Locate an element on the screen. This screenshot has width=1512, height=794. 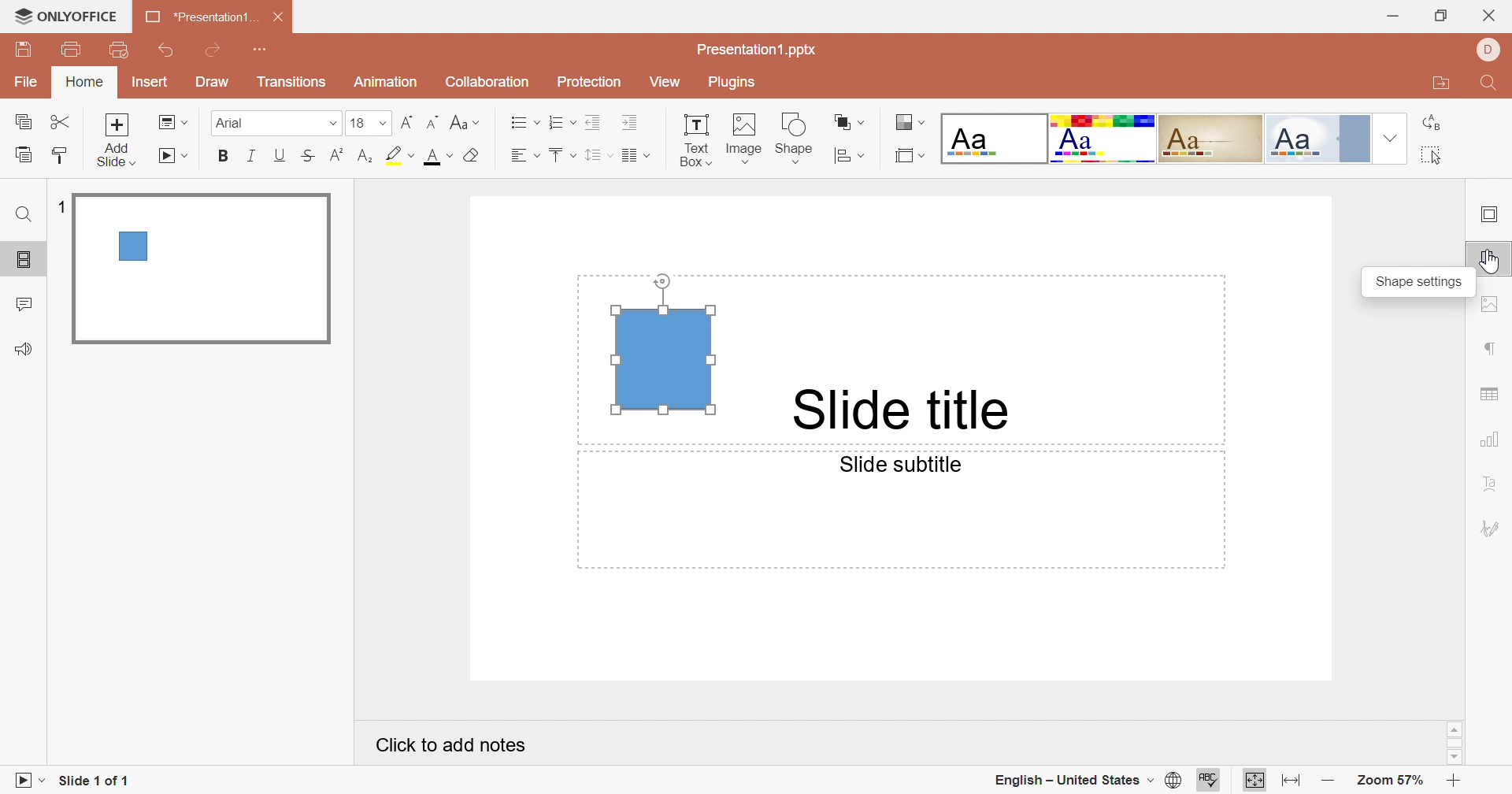
Align Left is located at coordinates (525, 157).